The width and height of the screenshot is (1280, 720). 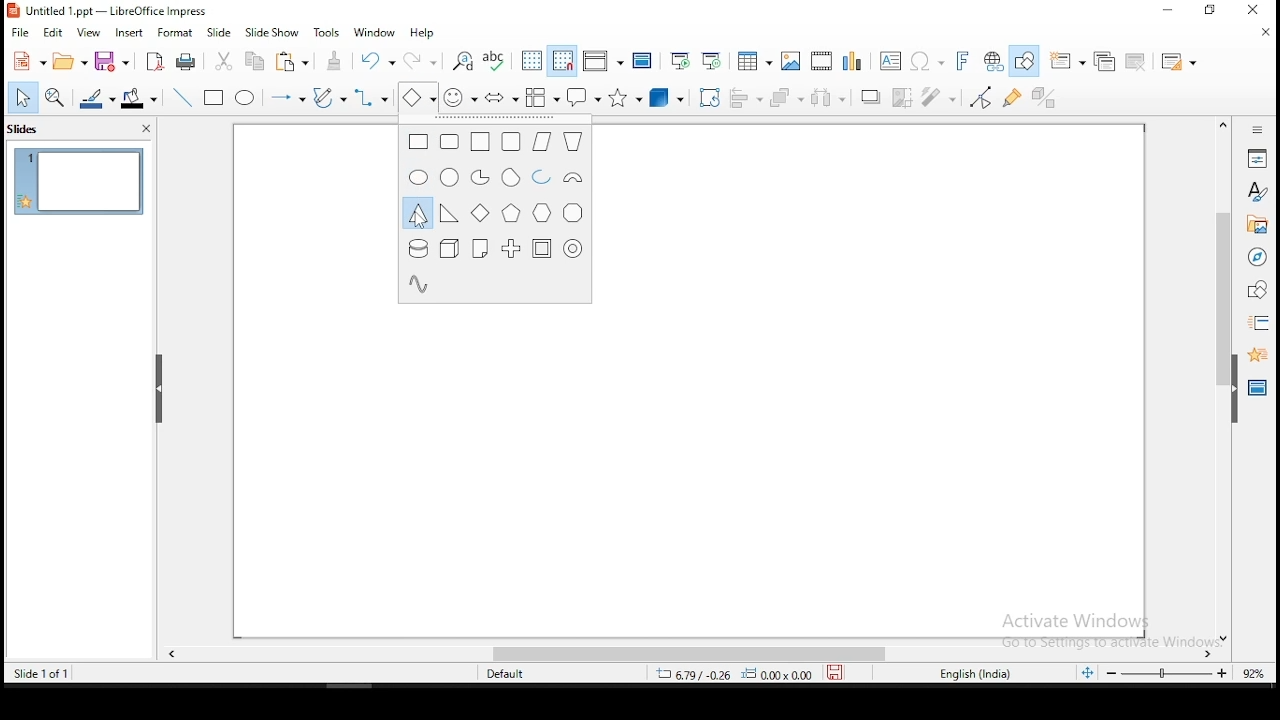 What do you see at coordinates (624, 98) in the screenshot?
I see `stars and banners` at bounding box center [624, 98].